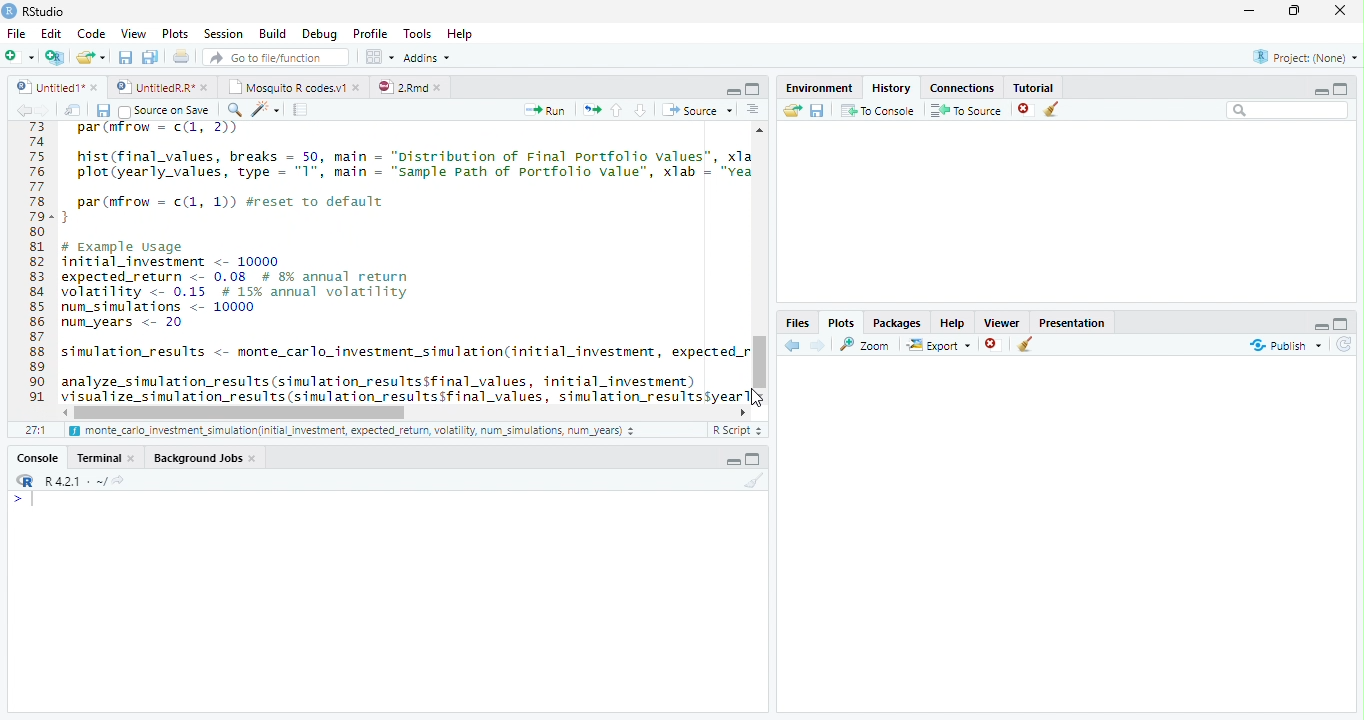 The height and width of the screenshot is (720, 1364). I want to click on RStudio, so click(34, 11).